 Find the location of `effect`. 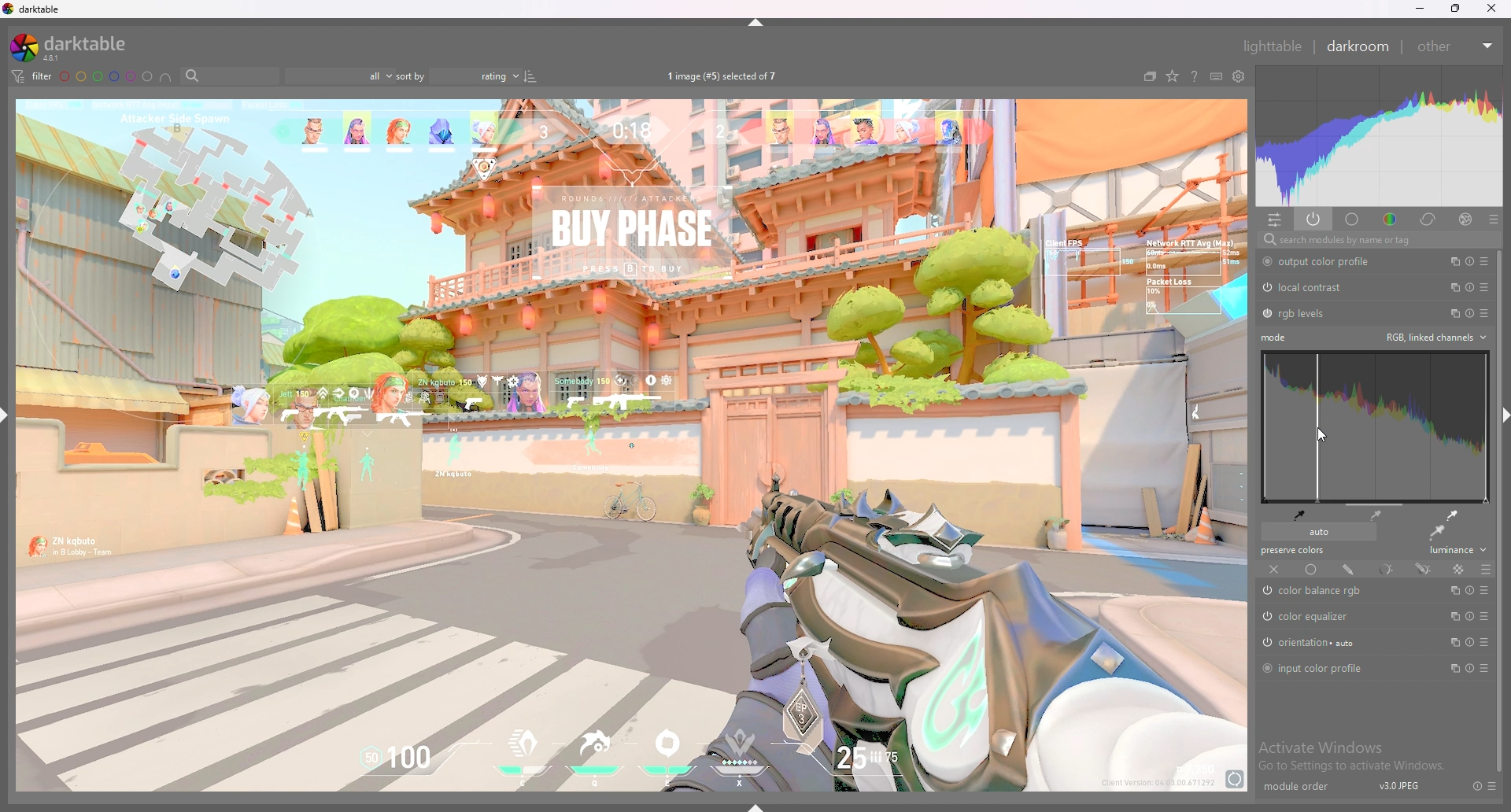

effect is located at coordinates (1461, 219).